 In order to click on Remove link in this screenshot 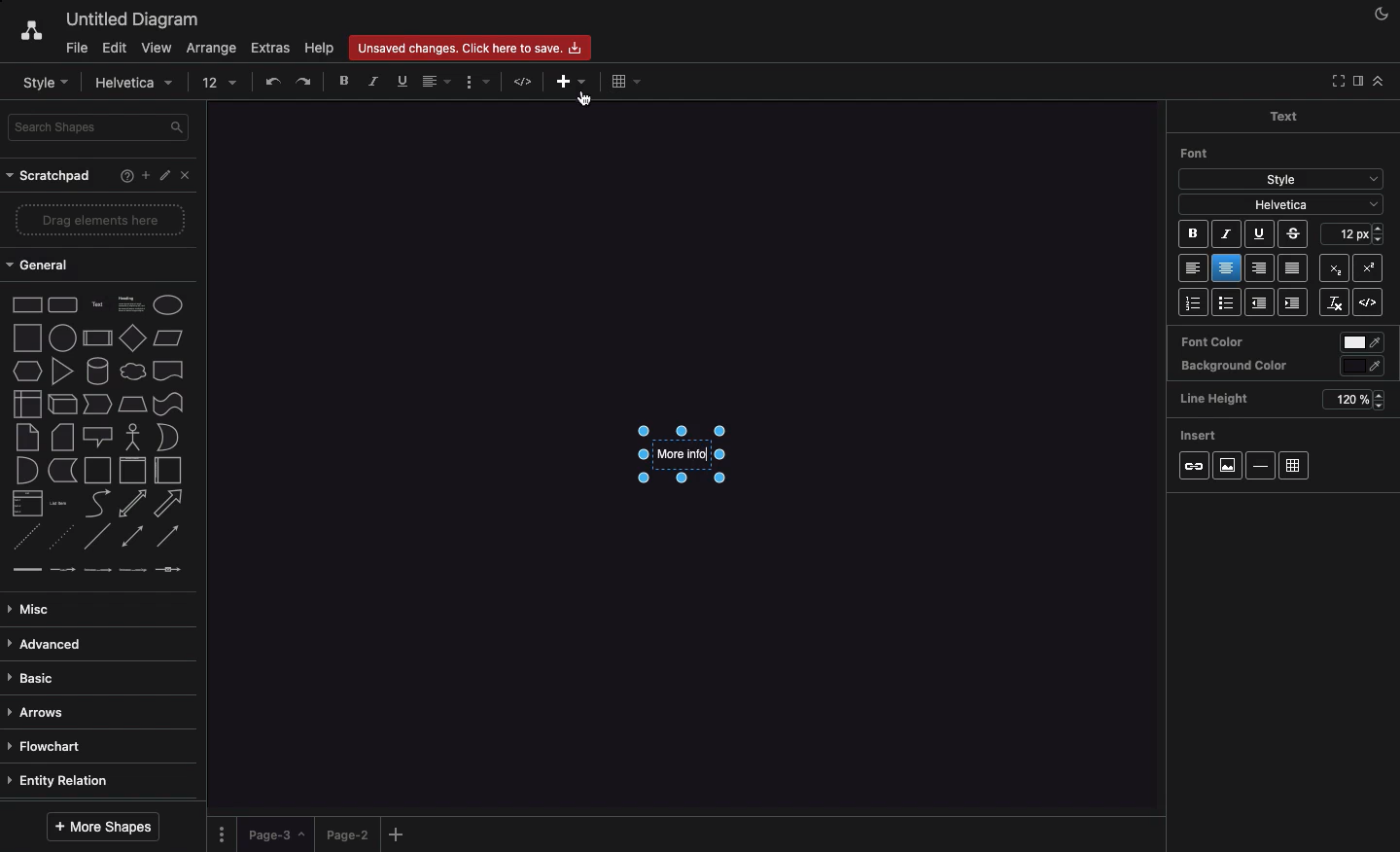, I will do `click(1334, 302)`.